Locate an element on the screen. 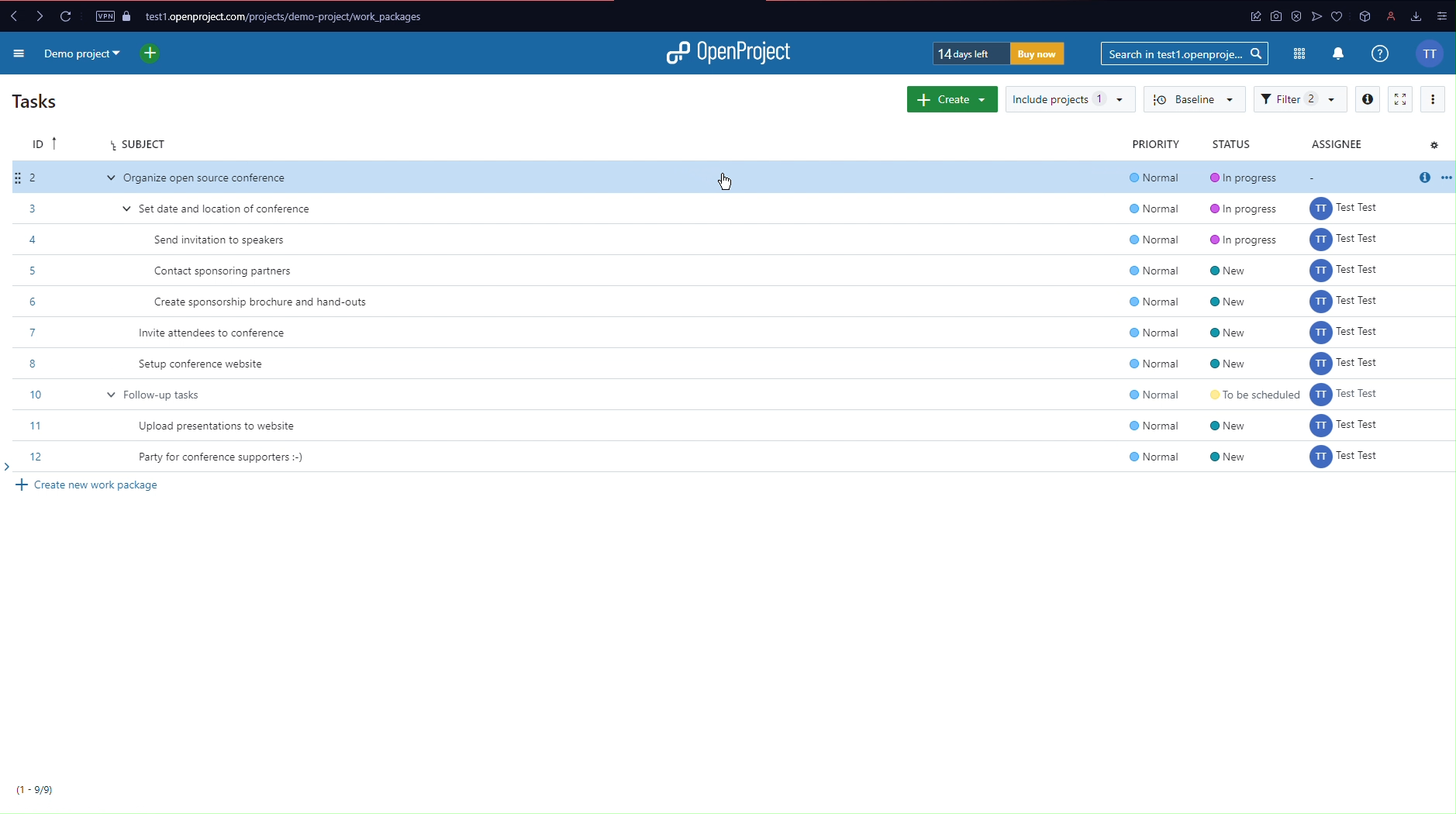 The width and height of the screenshot is (1456, 814). Fullscreen is located at coordinates (1402, 98).